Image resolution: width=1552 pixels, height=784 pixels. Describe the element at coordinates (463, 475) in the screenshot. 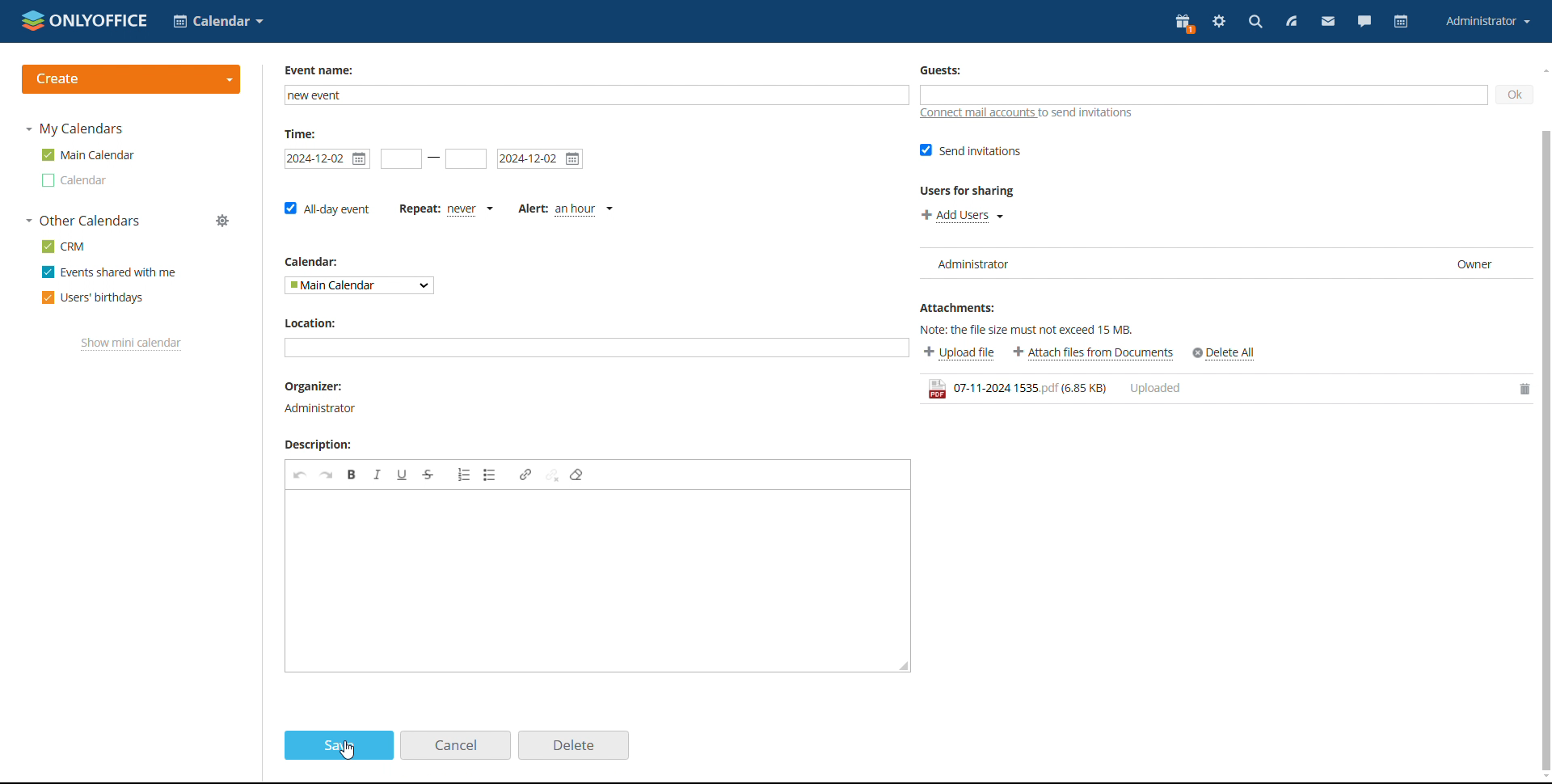

I see `insert/remove numbered list` at that location.